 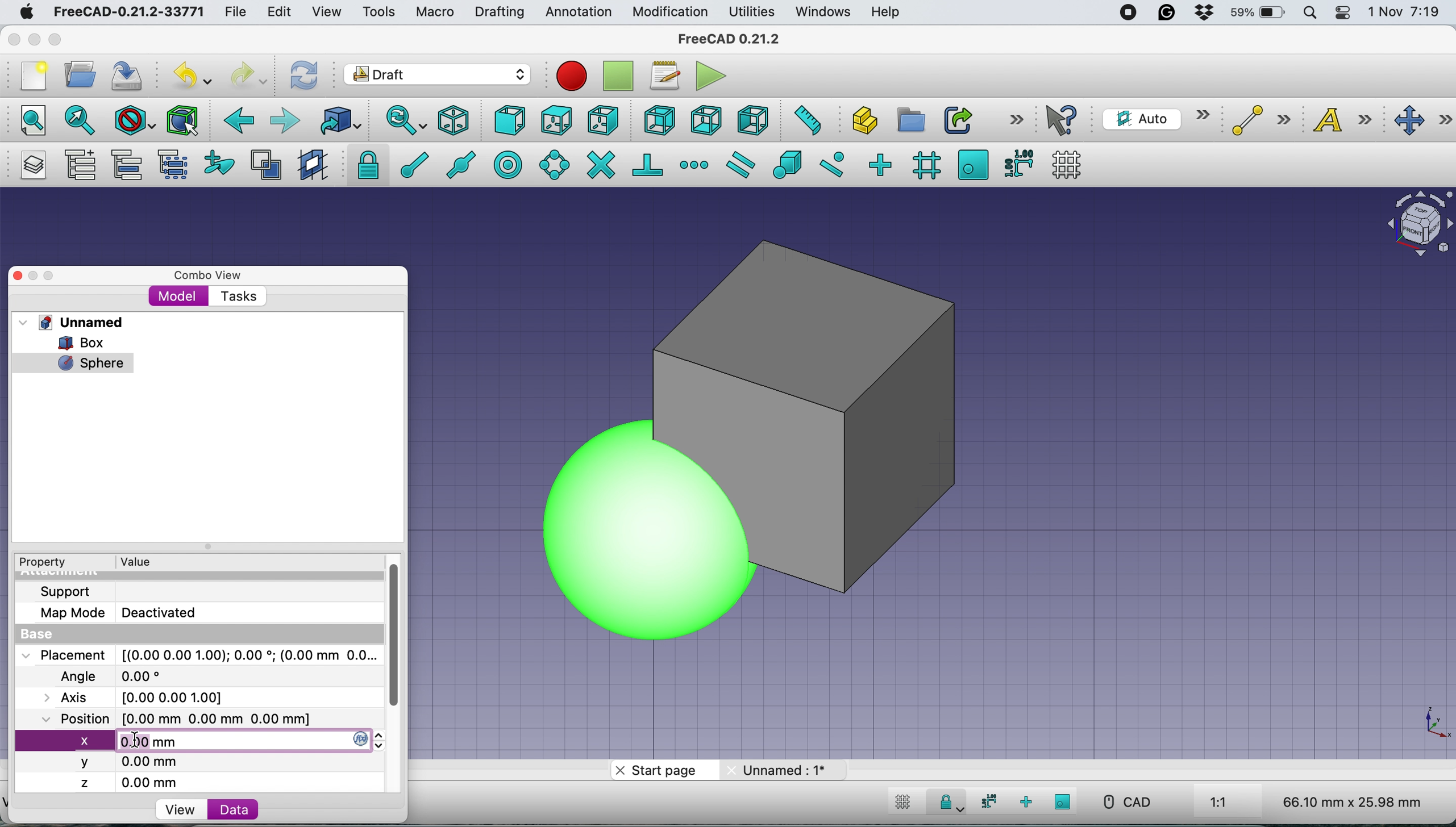 I want to click on text, so click(x=1345, y=119).